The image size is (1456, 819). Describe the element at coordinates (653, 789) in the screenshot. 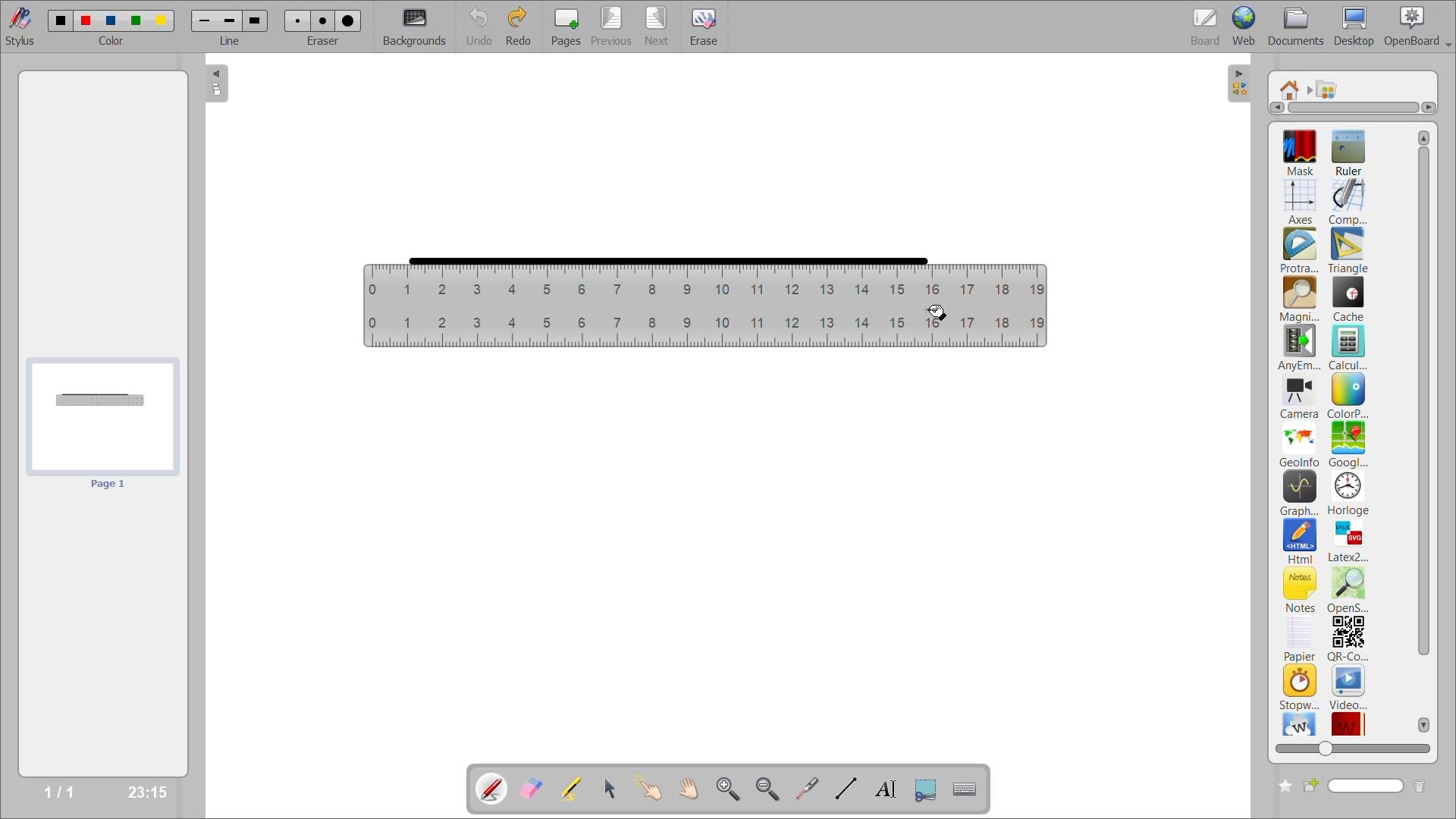

I see `interact with items` at that location.